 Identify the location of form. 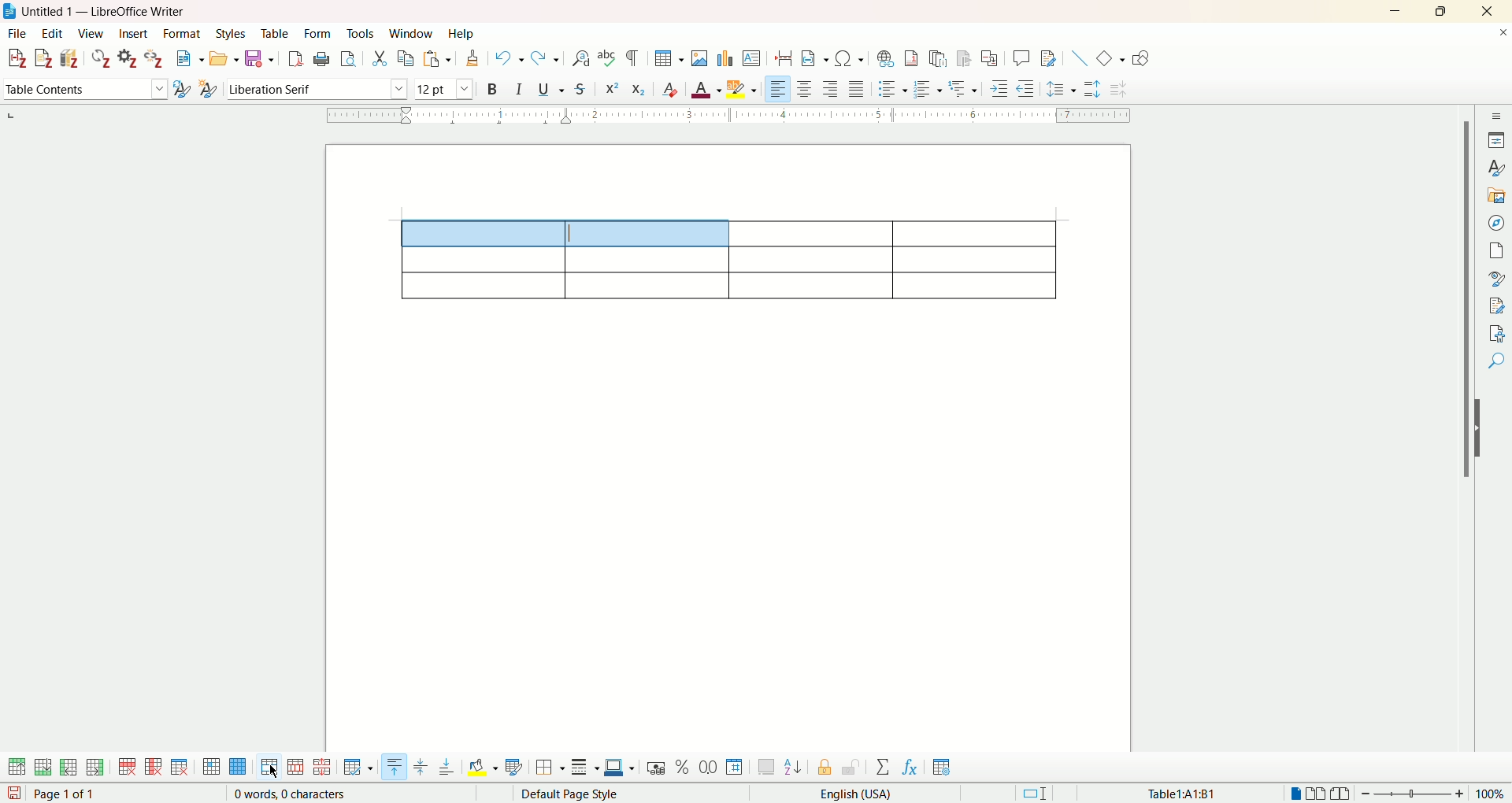
(317, 31).